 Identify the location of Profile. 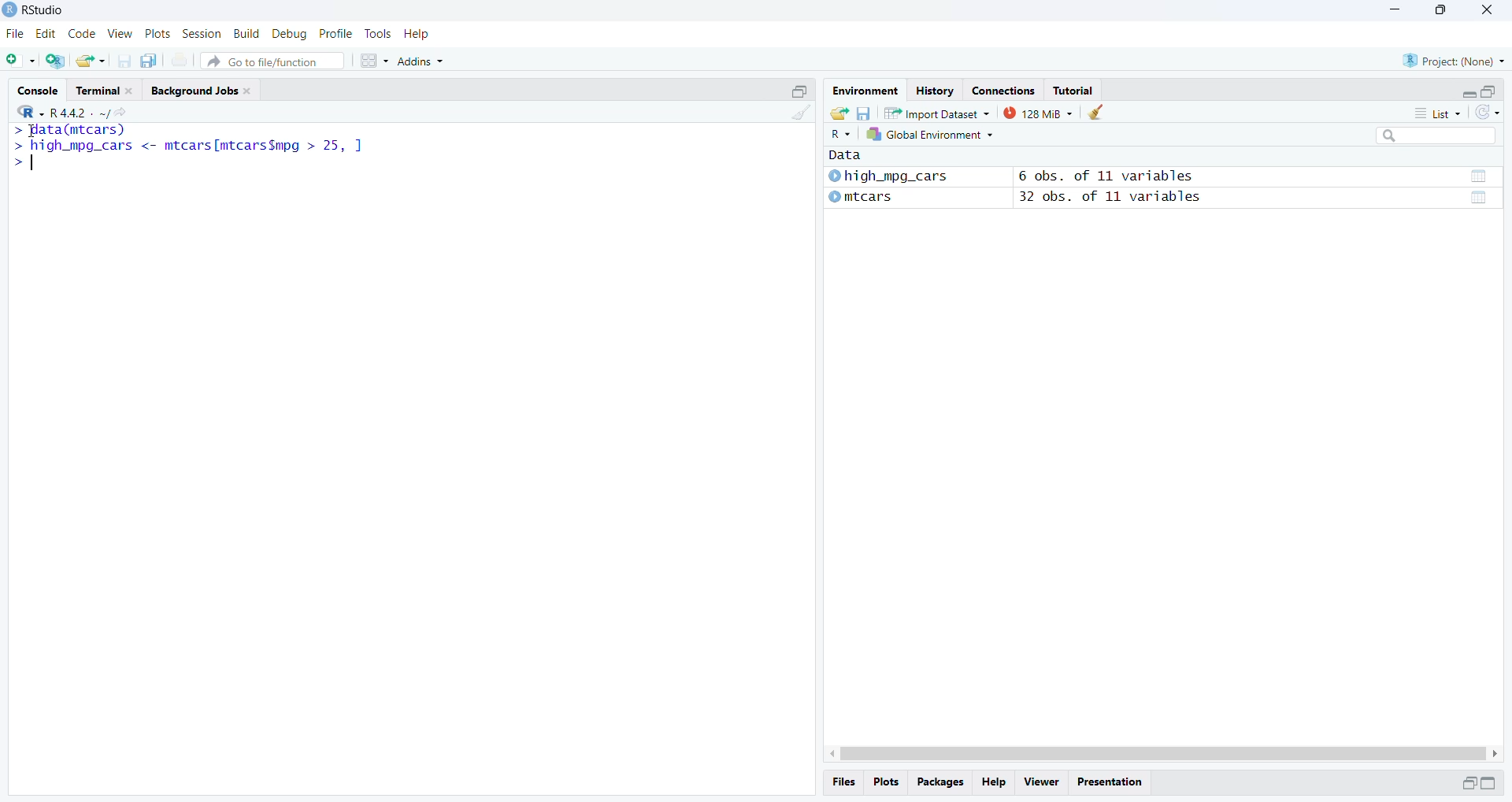
(335, 34).